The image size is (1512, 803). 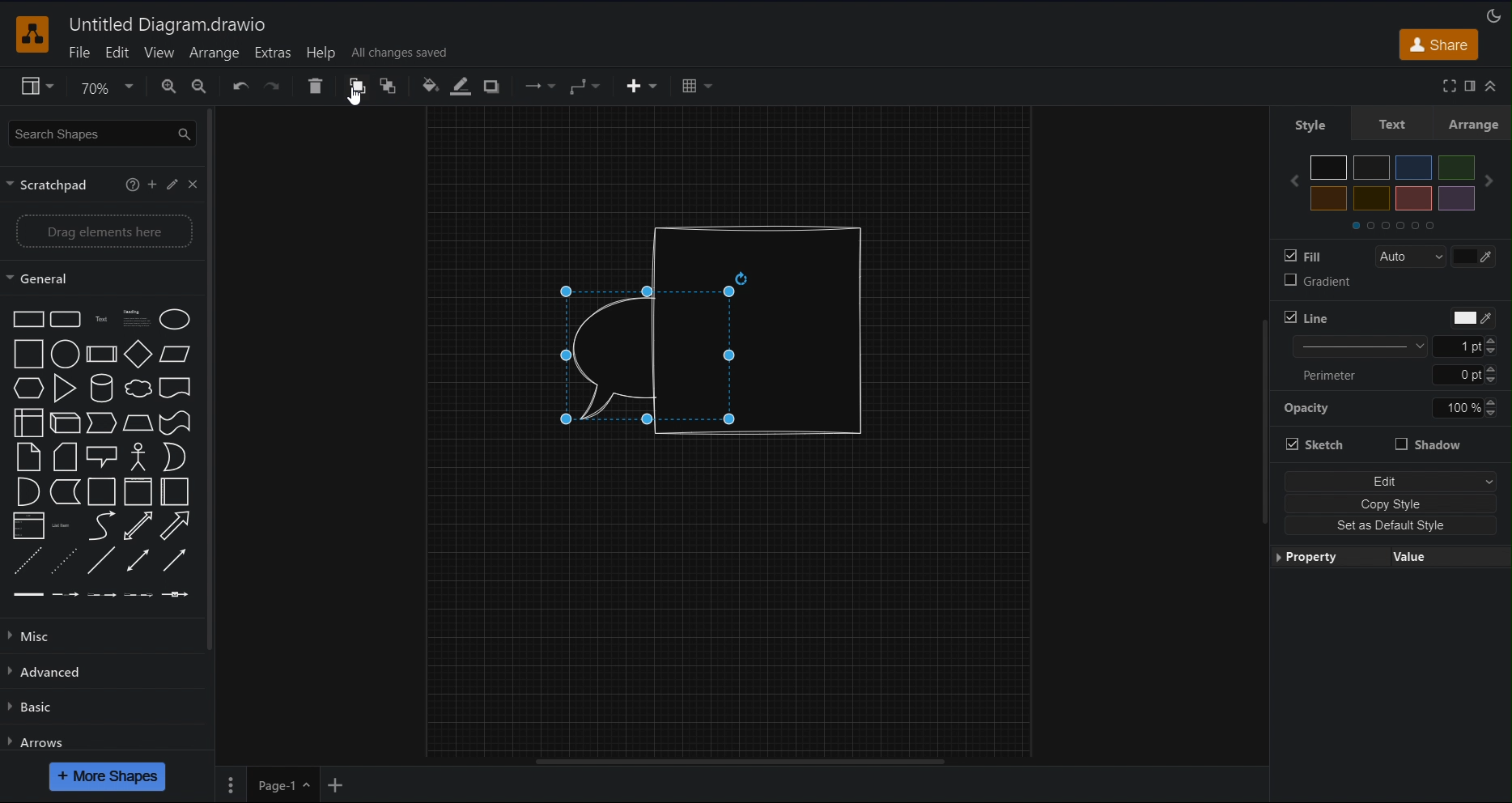 What do you see at coordinates (102, 355) in the screenshot?
I see `Process` at bounding box center [102, 355].